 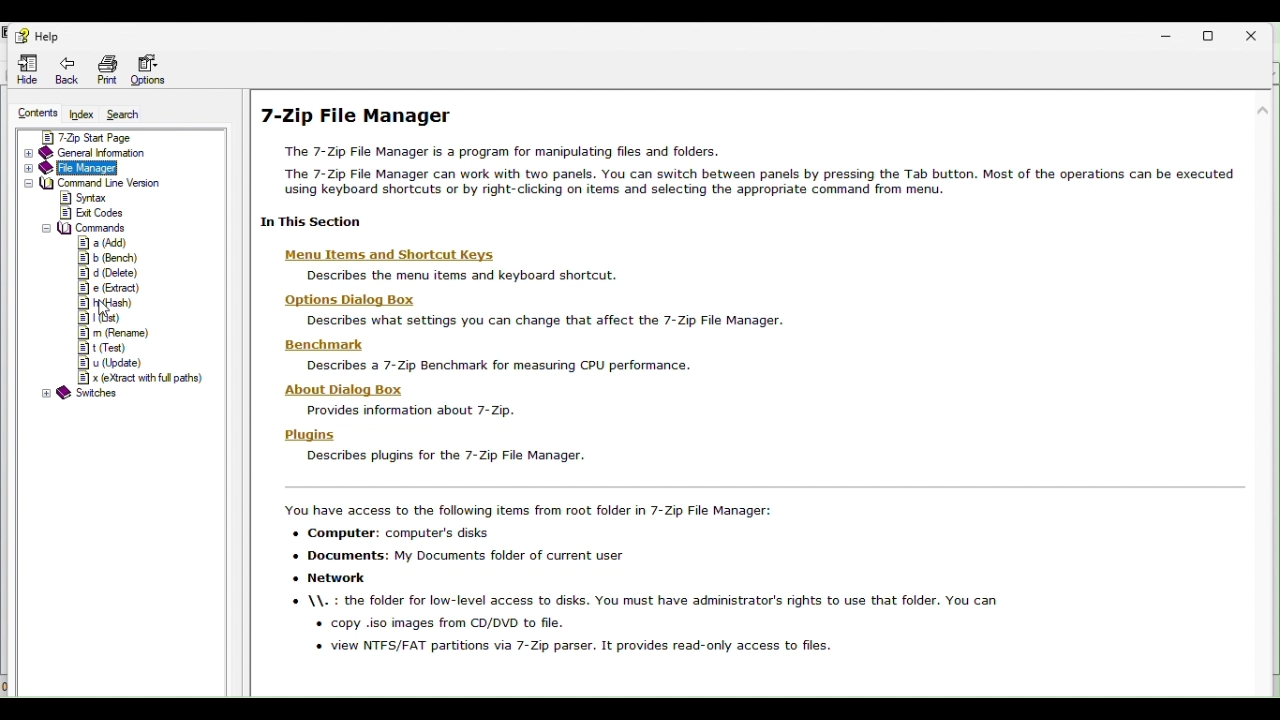 What do you see at coordinates (85, 228) in the screenshot?
I see `Commands` at bounding box center [85, 228].